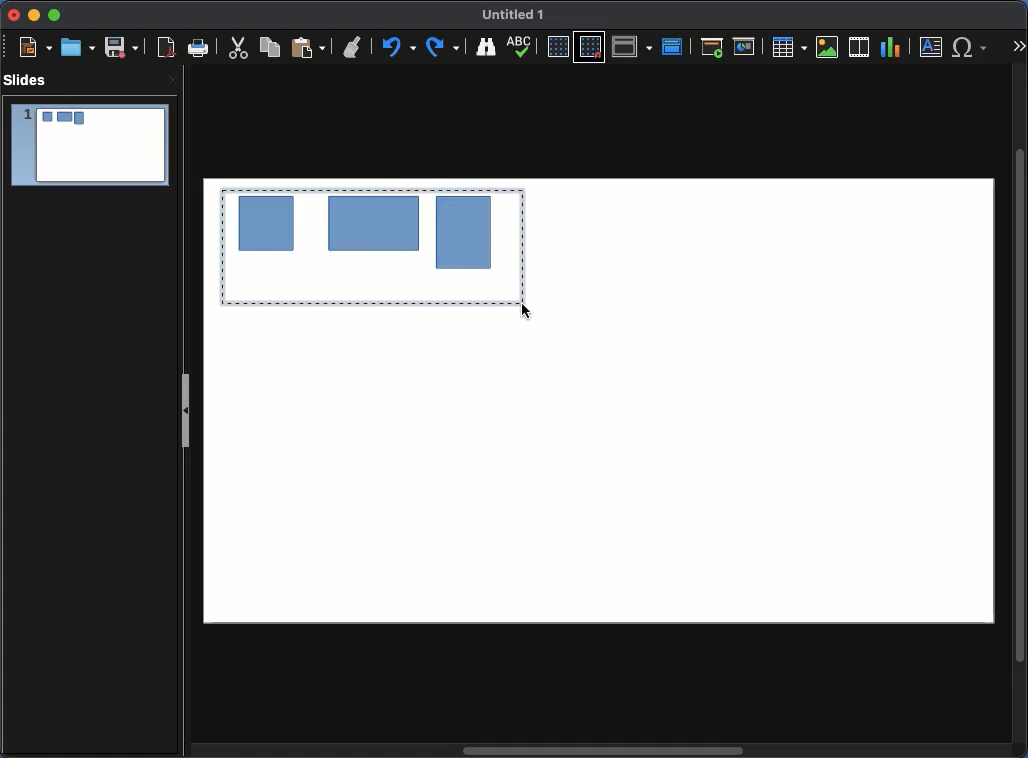  Describe the element at coordinates (308, 48) in the screenshot. I see `Paste` at that location.